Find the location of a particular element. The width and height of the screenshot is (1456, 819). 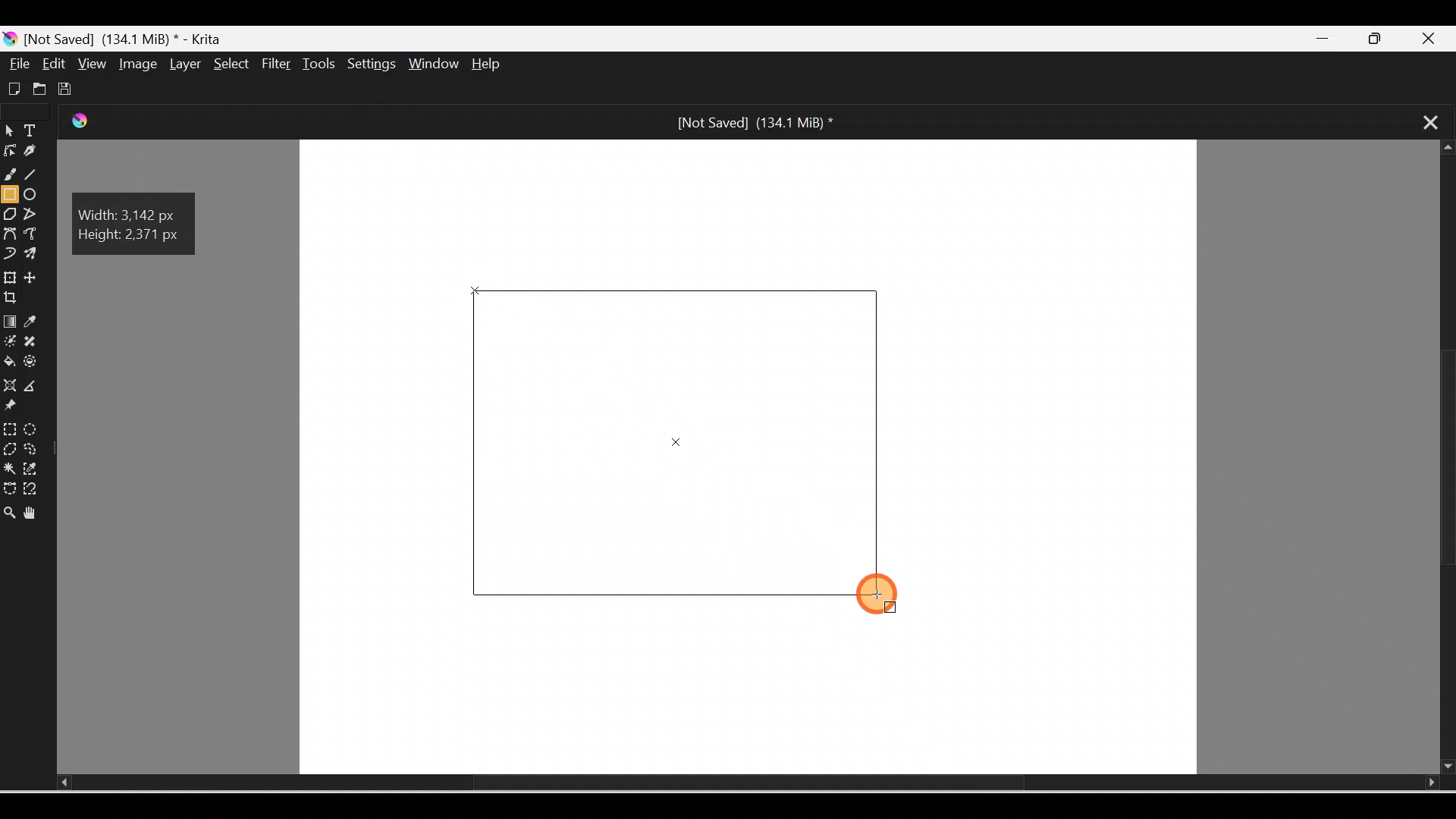

[Not Saved] (171.2 MiB) * - Krita is located at coordinates (121, 37).